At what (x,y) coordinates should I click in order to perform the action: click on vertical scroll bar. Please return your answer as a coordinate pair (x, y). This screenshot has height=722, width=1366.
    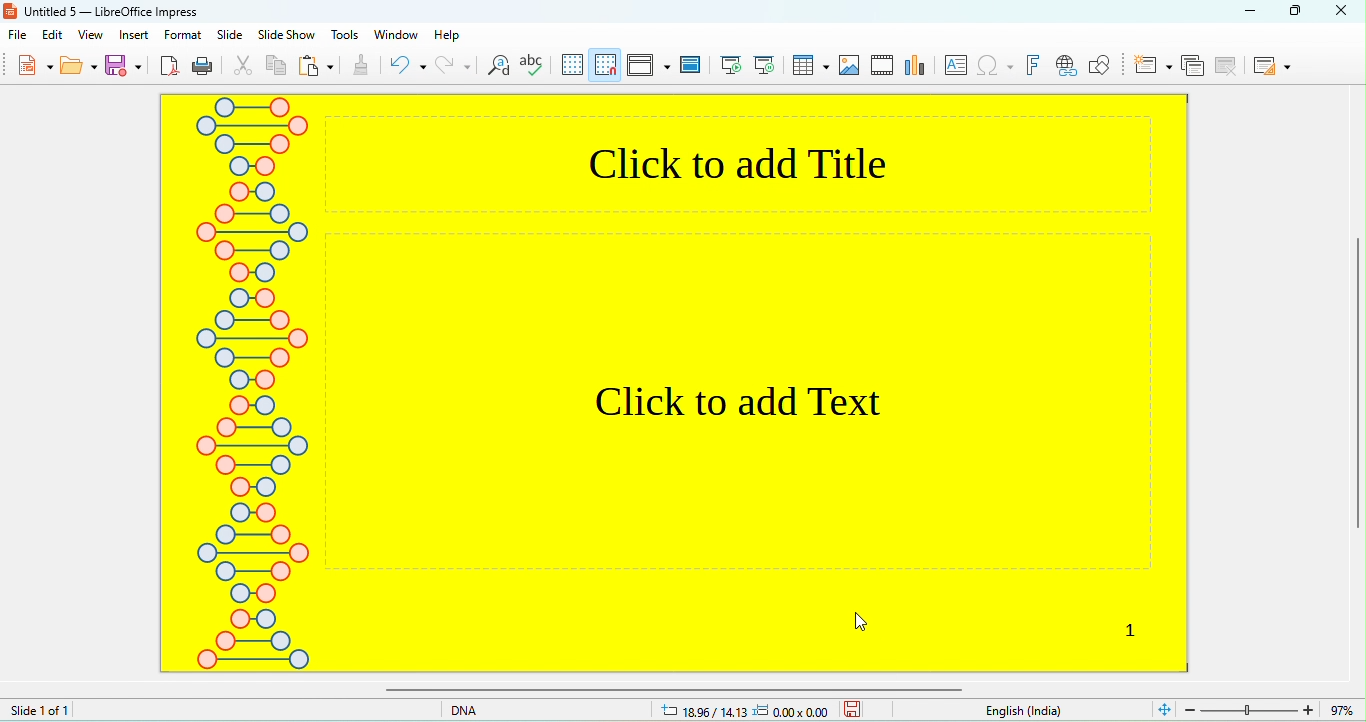
    Looking at the image, I should click on (1357, 387).